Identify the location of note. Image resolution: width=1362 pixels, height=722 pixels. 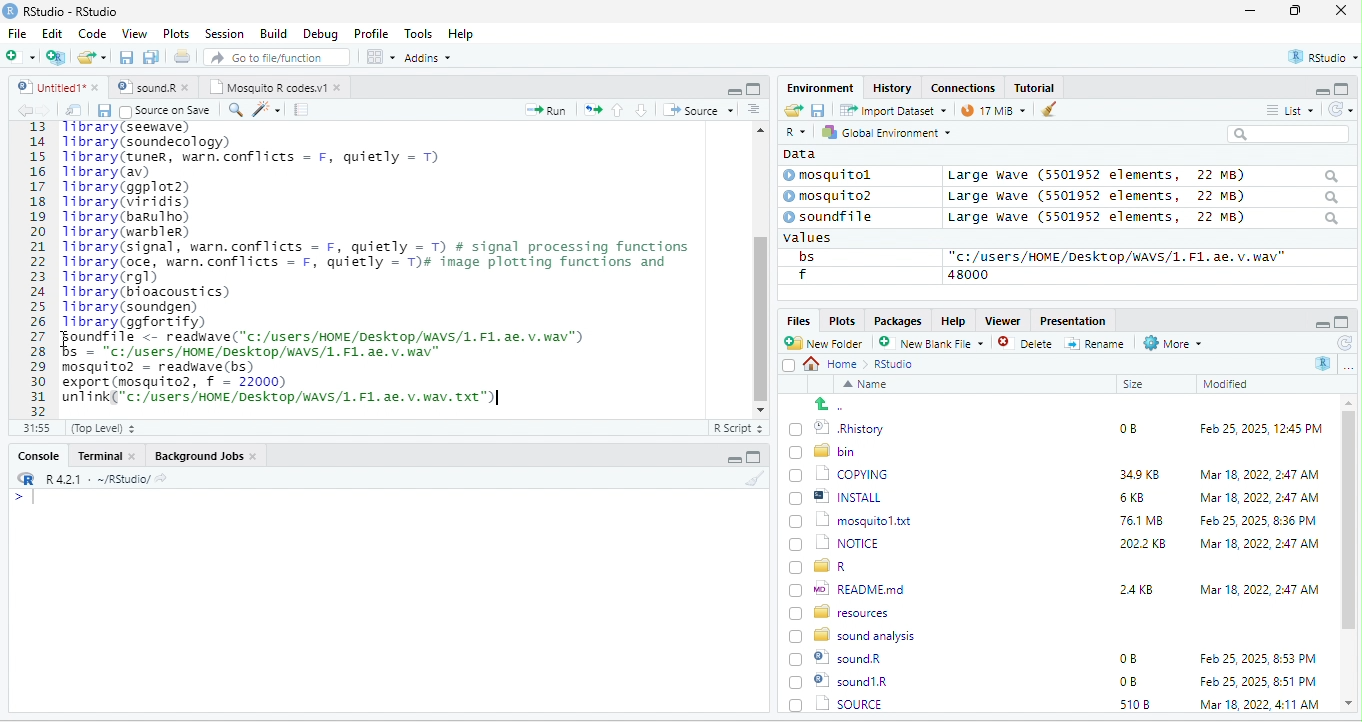
(302, 109).